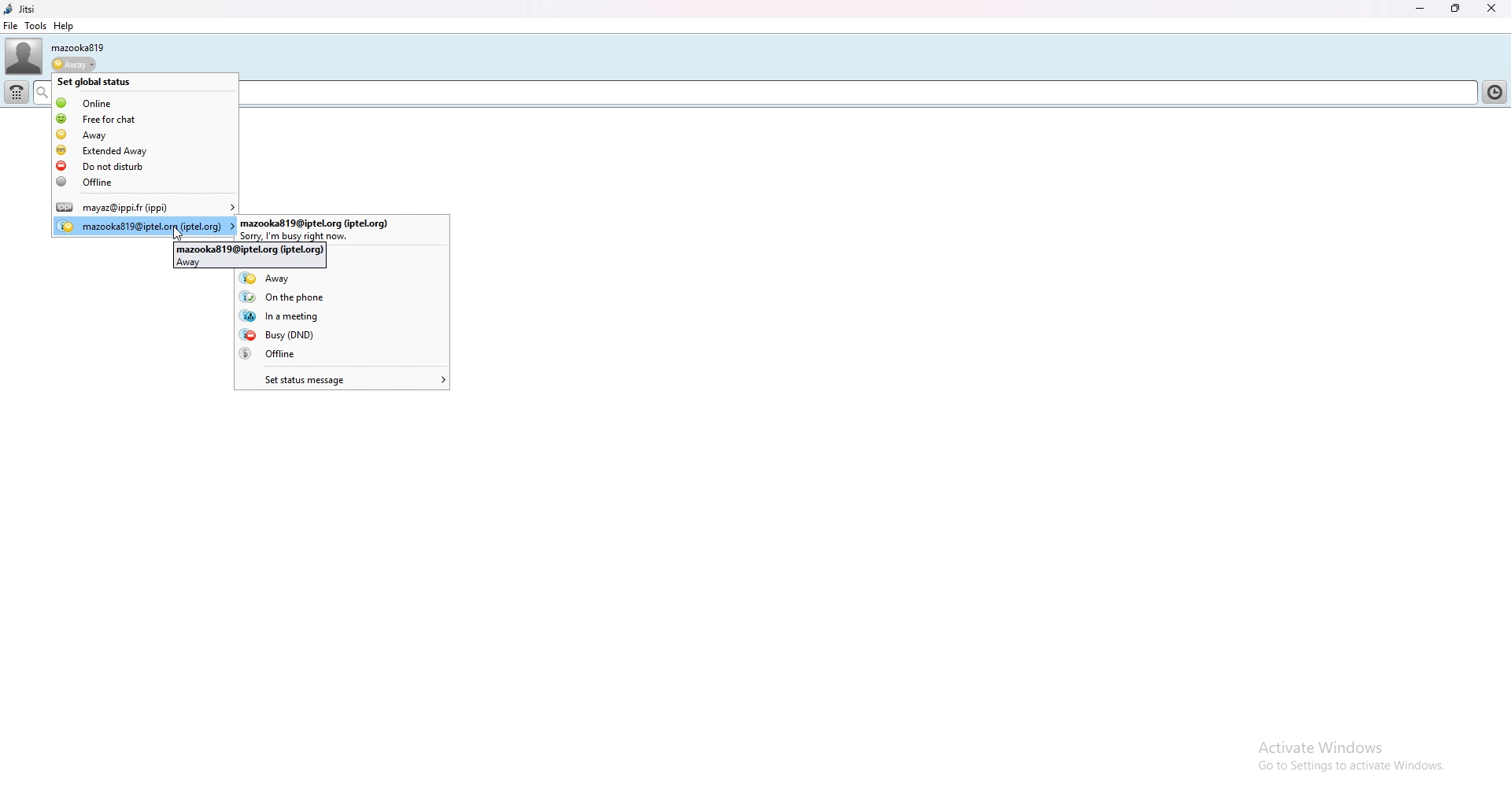  Describe the element at coordinates (63, 26) in the screenshot. I see `help` at that location.